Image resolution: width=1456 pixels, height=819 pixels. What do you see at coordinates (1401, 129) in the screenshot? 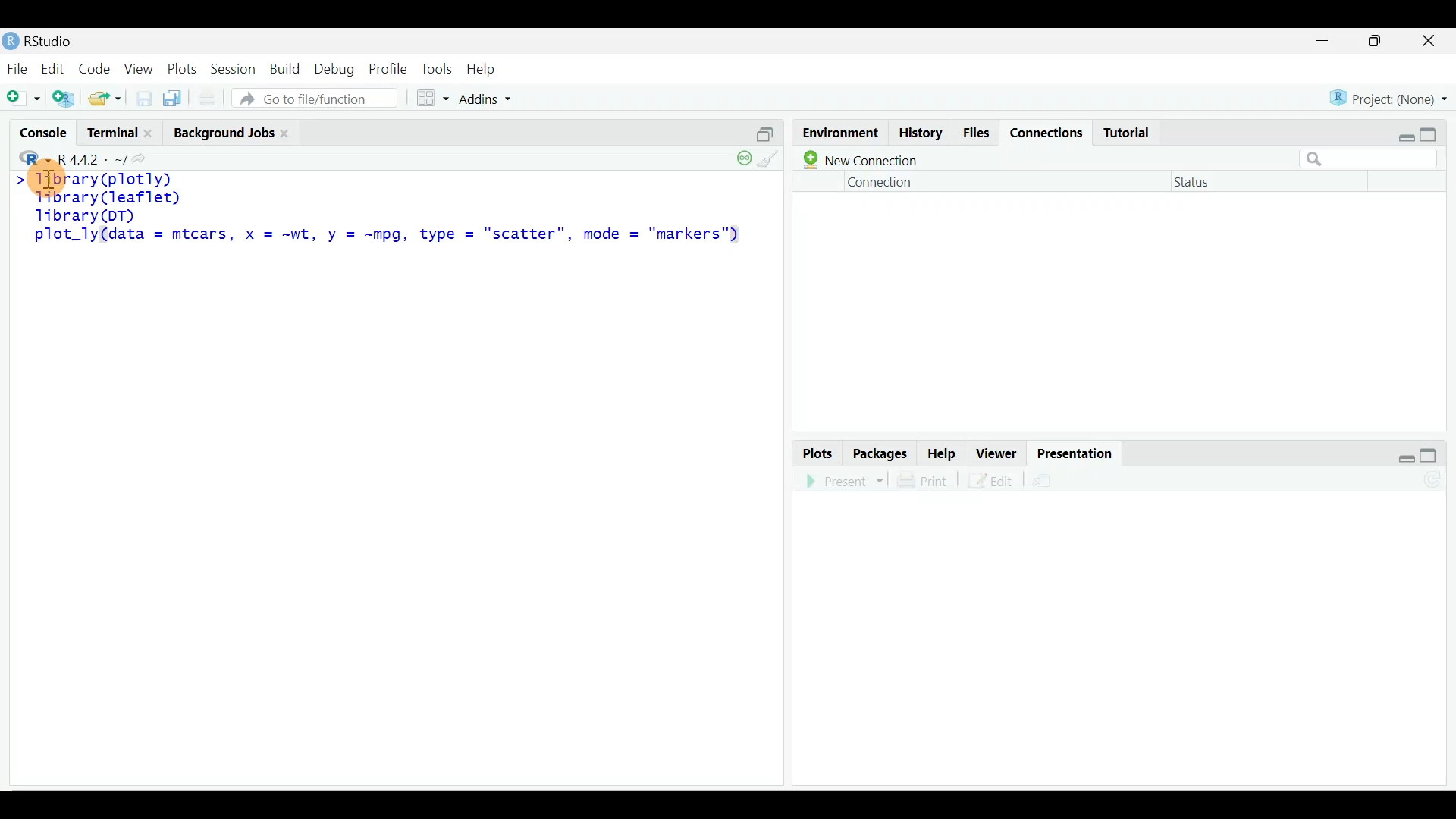
I see `restore down` at bounding box center [1401, 129].